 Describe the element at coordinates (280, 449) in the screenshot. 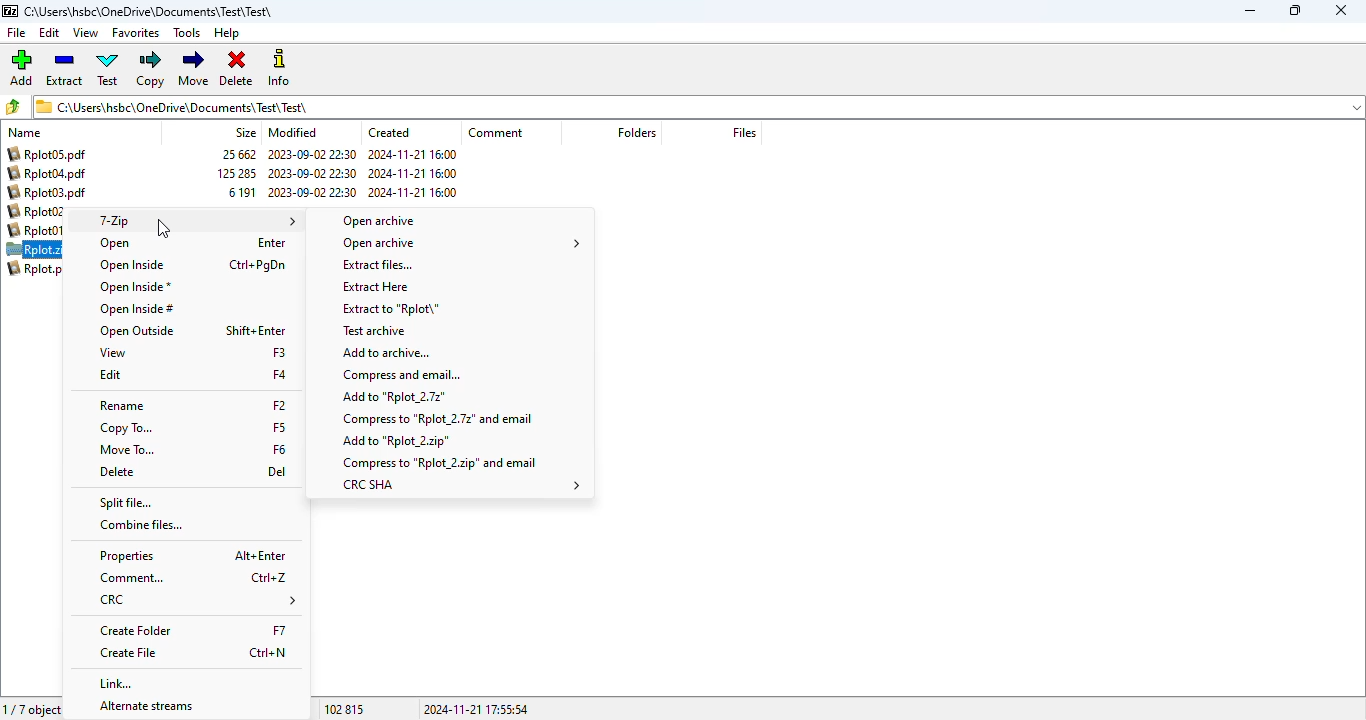

I see `F6` at that location.